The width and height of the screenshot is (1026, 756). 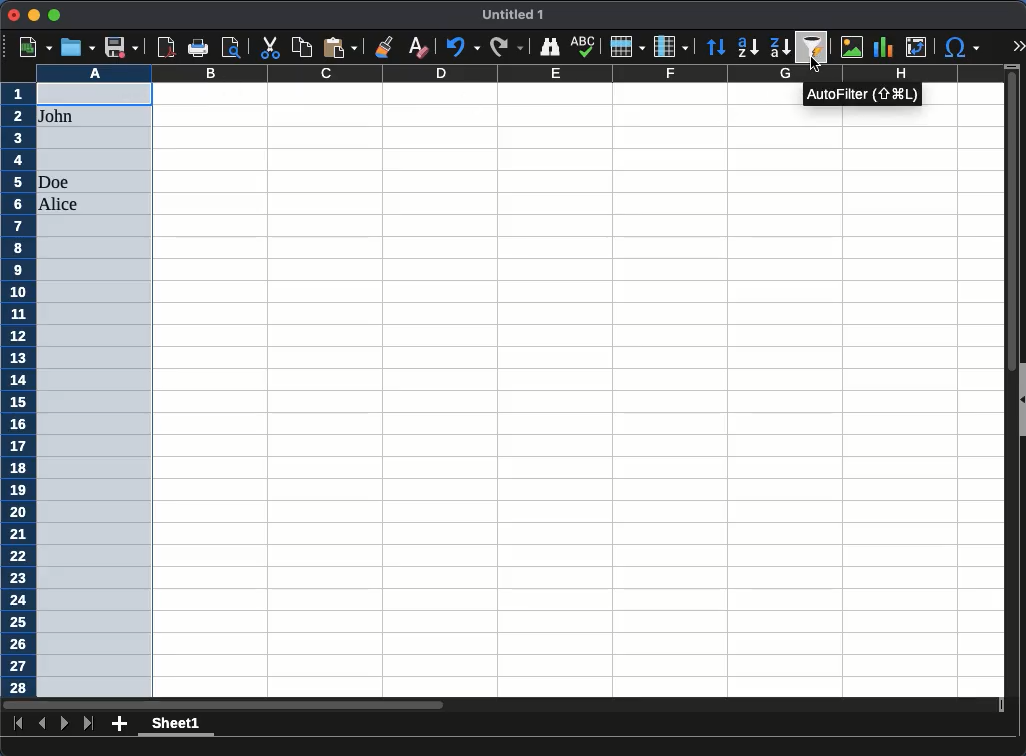 I want to click on autofilter, so click(x=813, y=46).